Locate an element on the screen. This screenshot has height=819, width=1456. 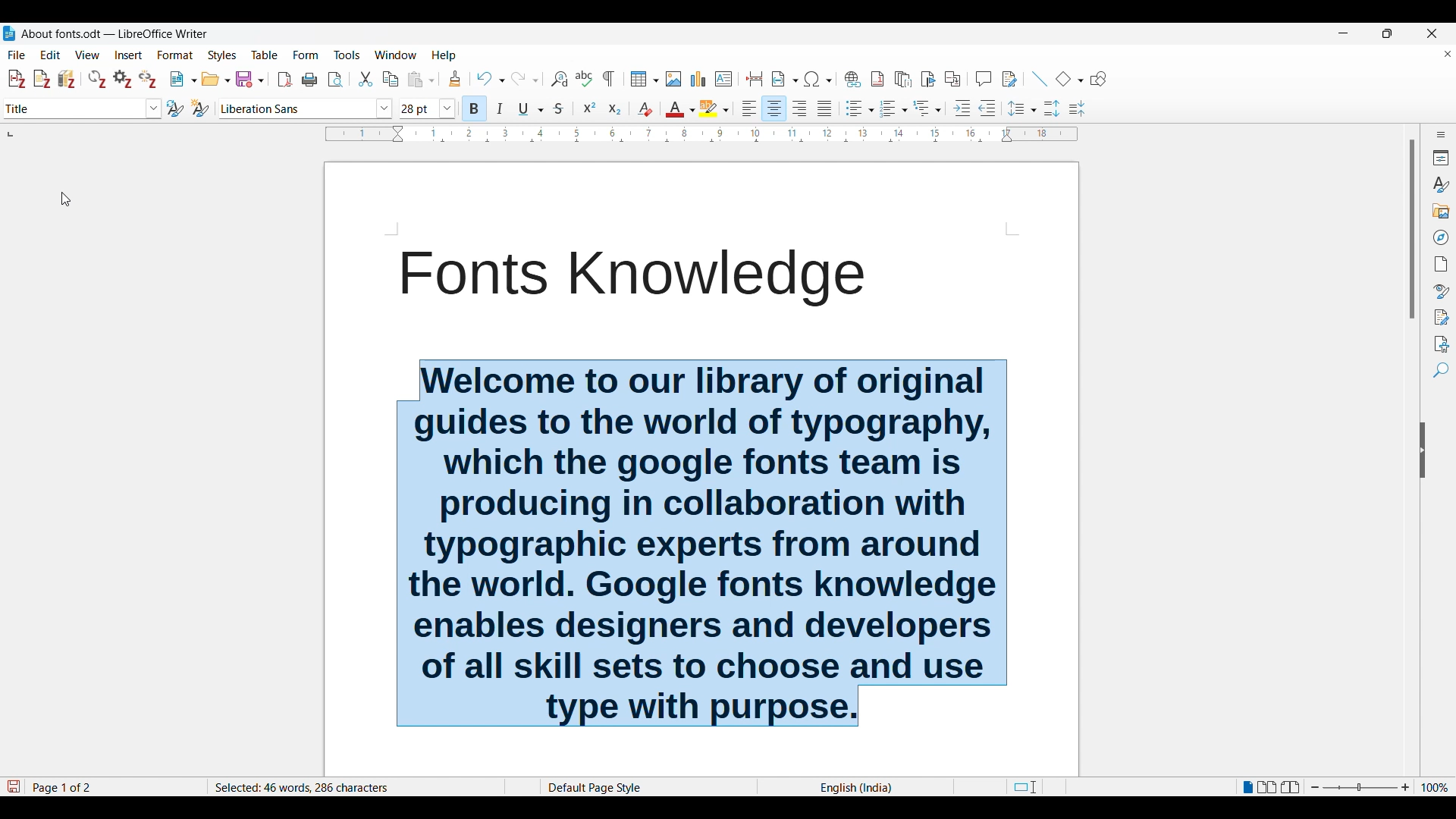
Accessibility check is located at coordinates (1442, 345).